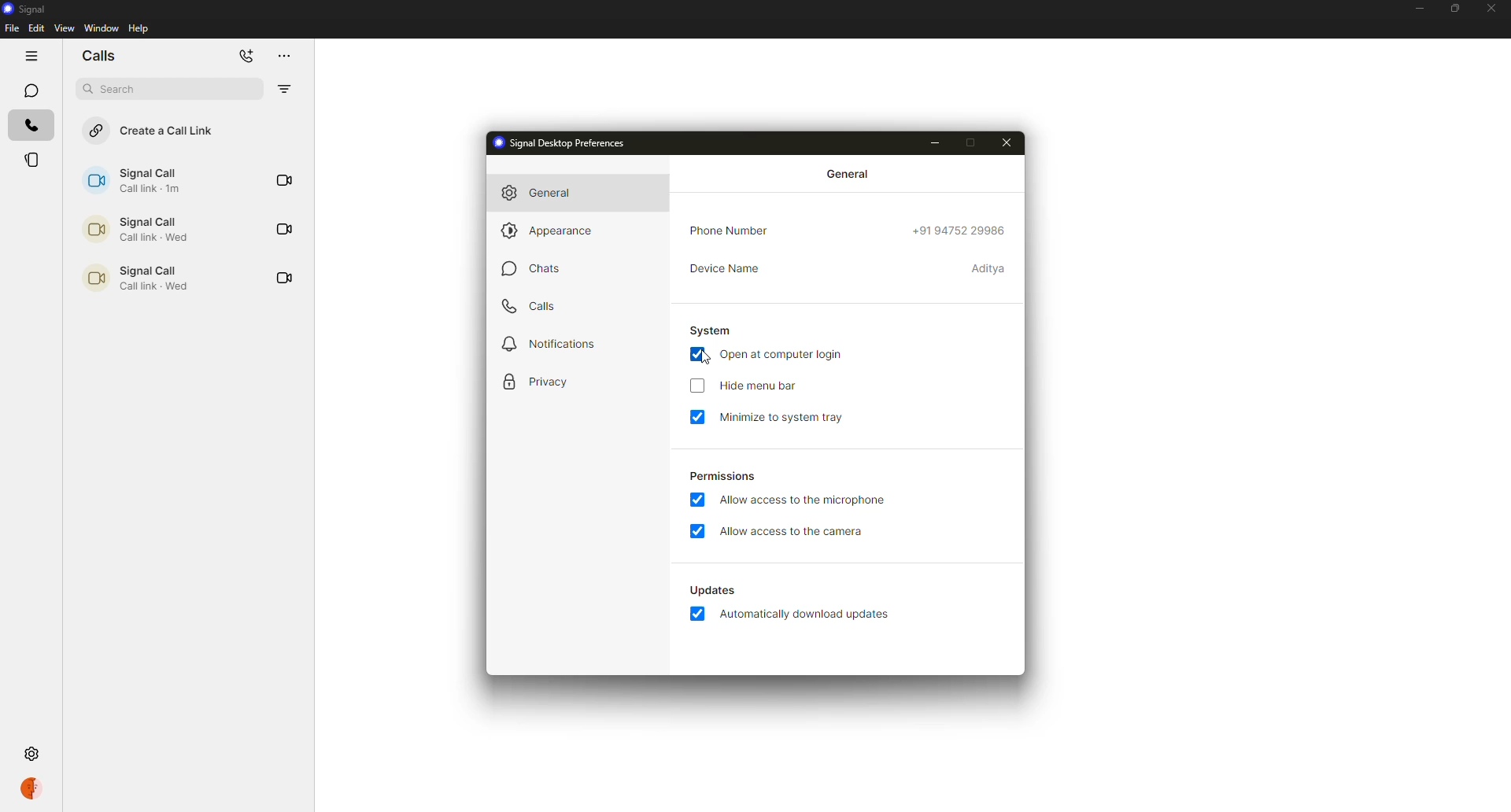  Describe the element at coordinates (760, 386) in the screenshot. I see `hide menu bar` at that location.